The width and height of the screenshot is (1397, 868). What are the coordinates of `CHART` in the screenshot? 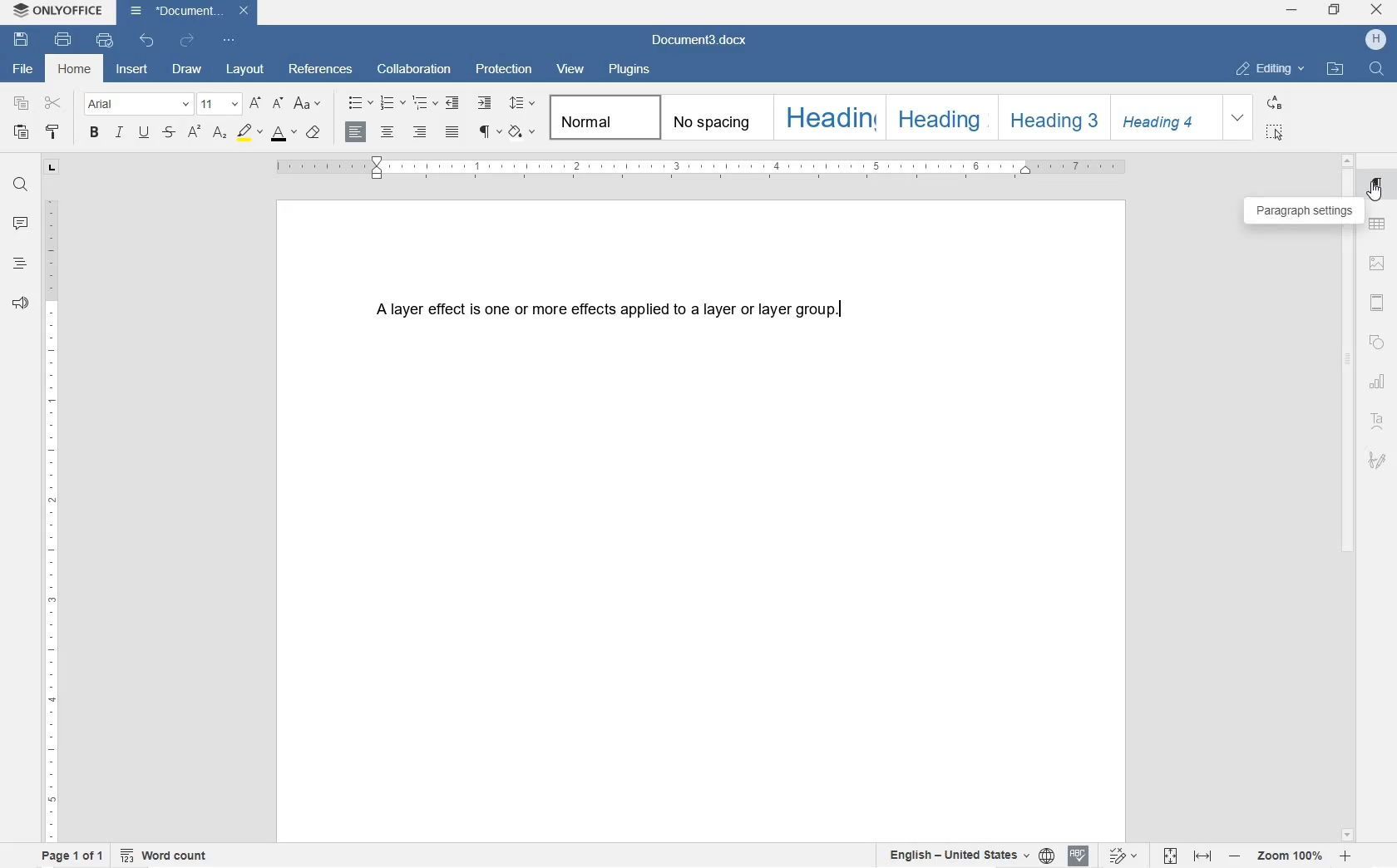 It's located at (1376, 381).